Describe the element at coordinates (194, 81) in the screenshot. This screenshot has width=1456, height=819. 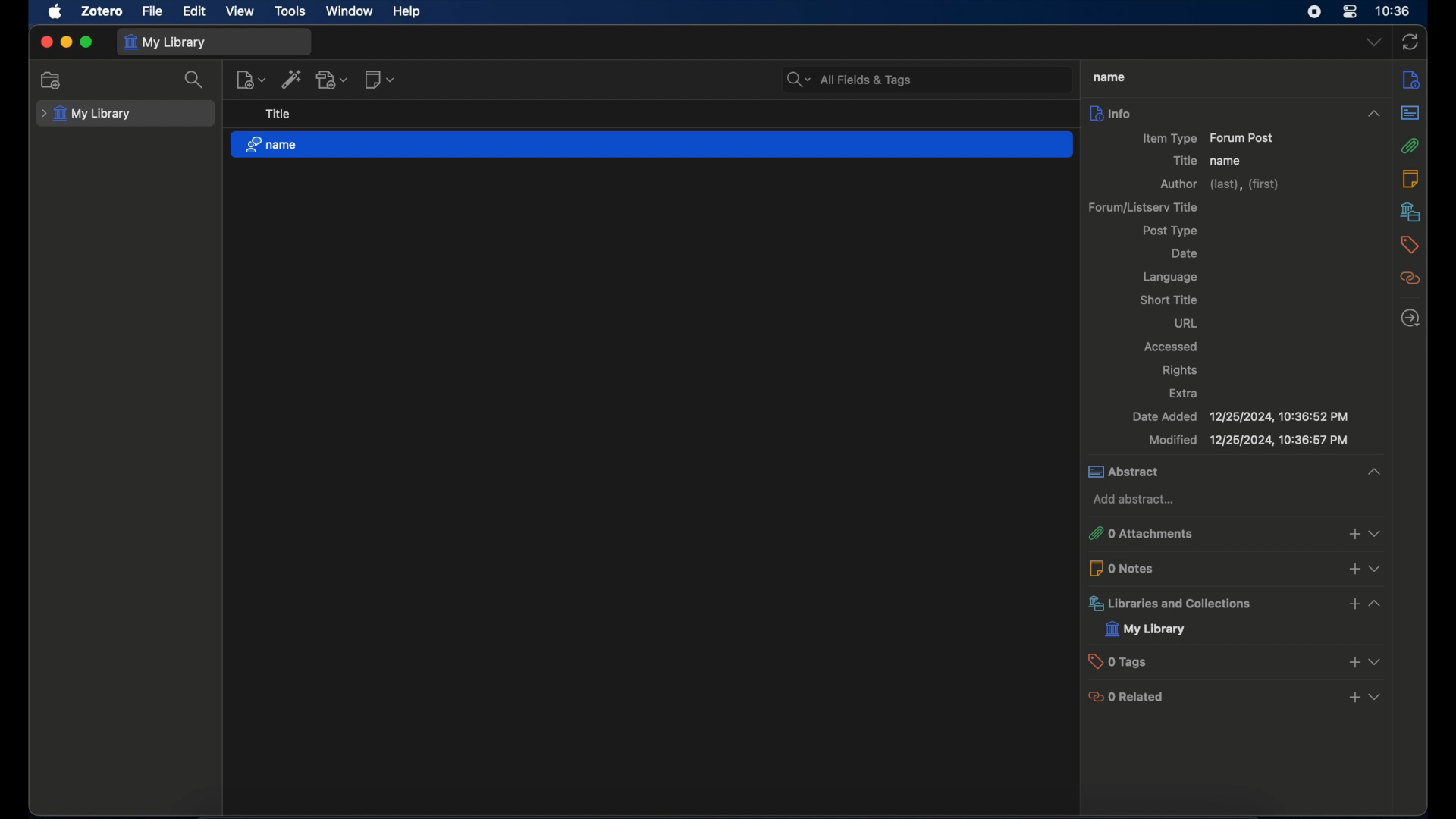
I see `search` at that location.